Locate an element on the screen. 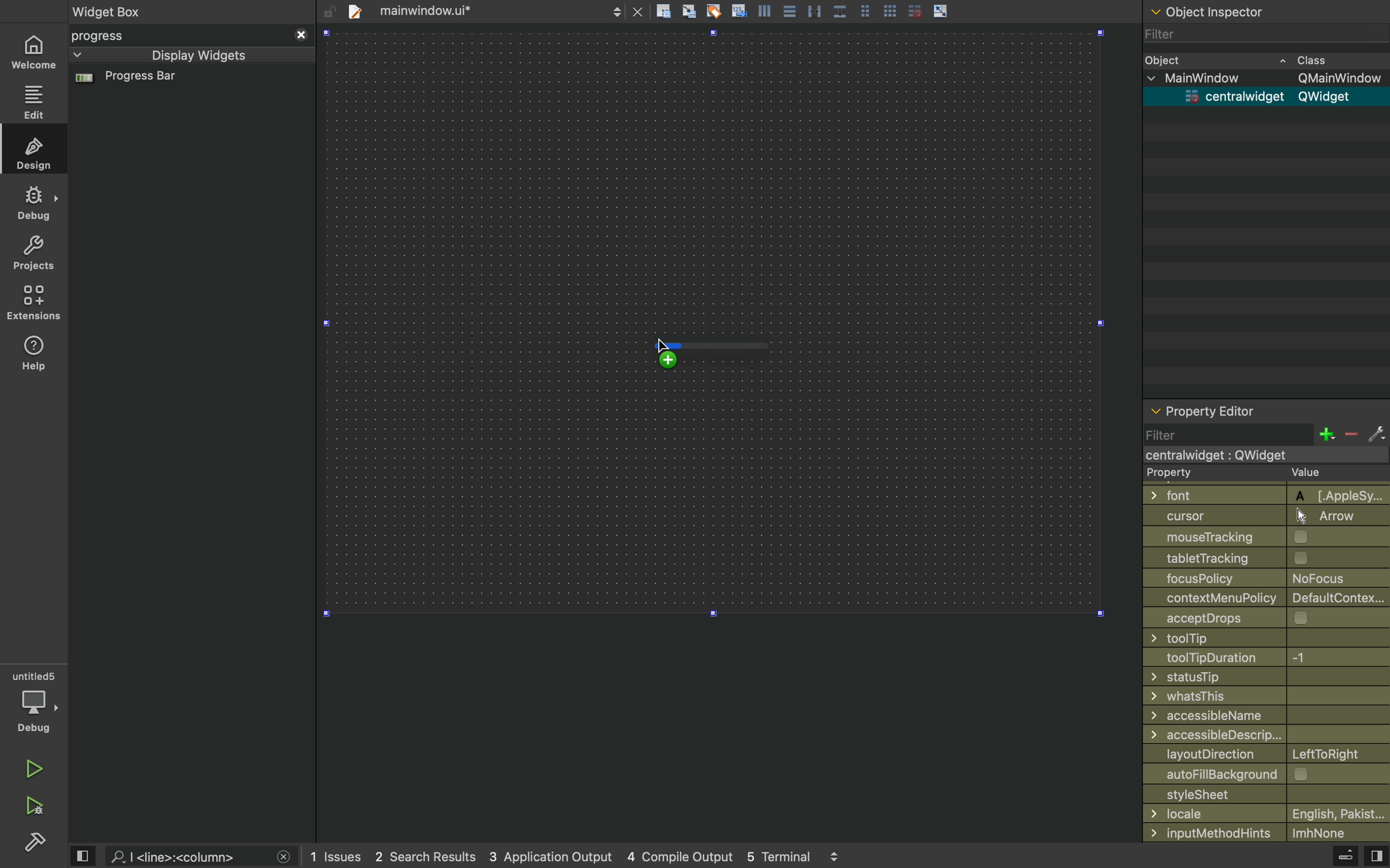 This screenshot has height=868, width=1390. run is located at coordinates (32, 766).